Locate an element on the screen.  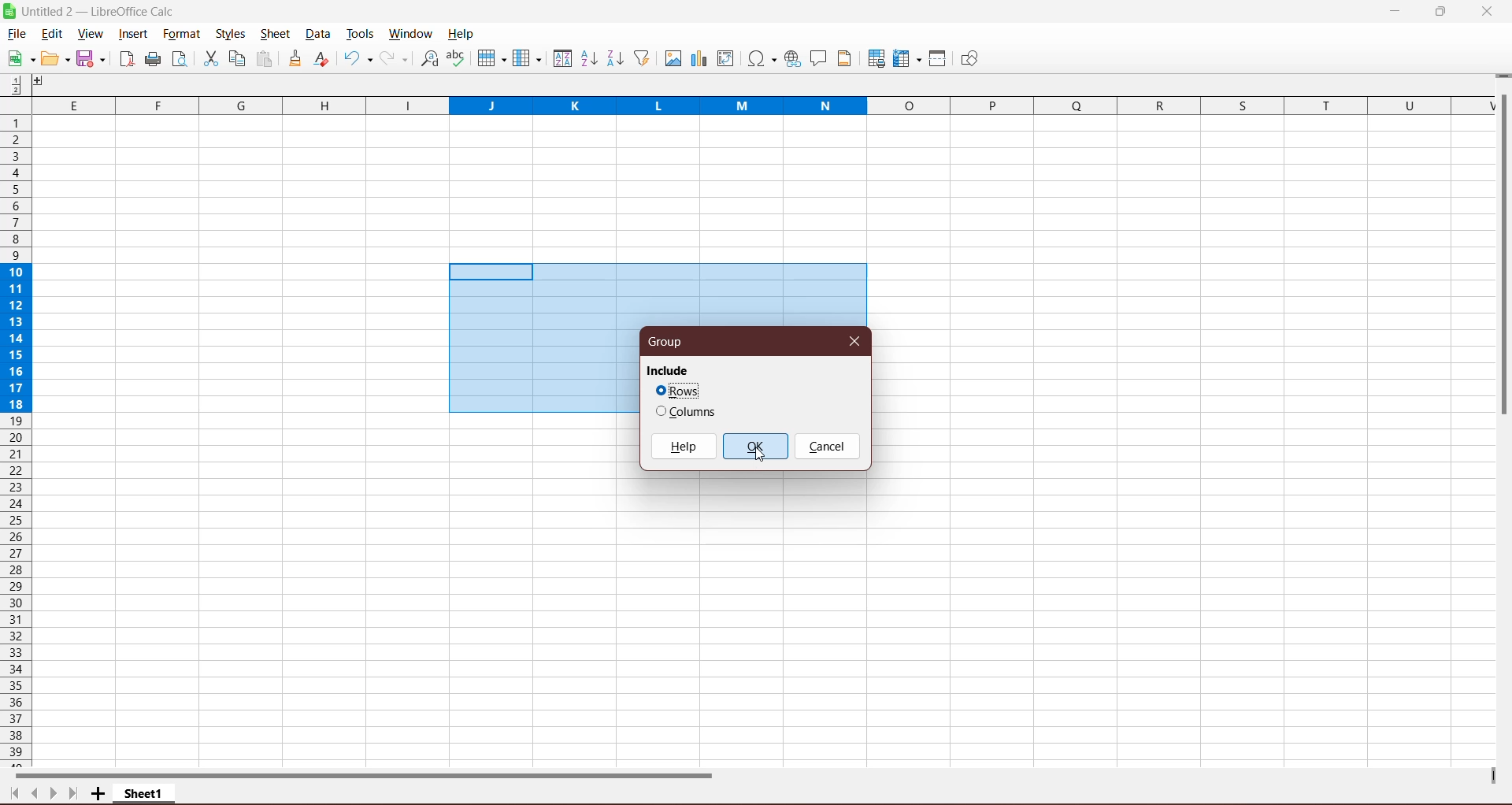
Application Logo is located at coordinates (9, 11).